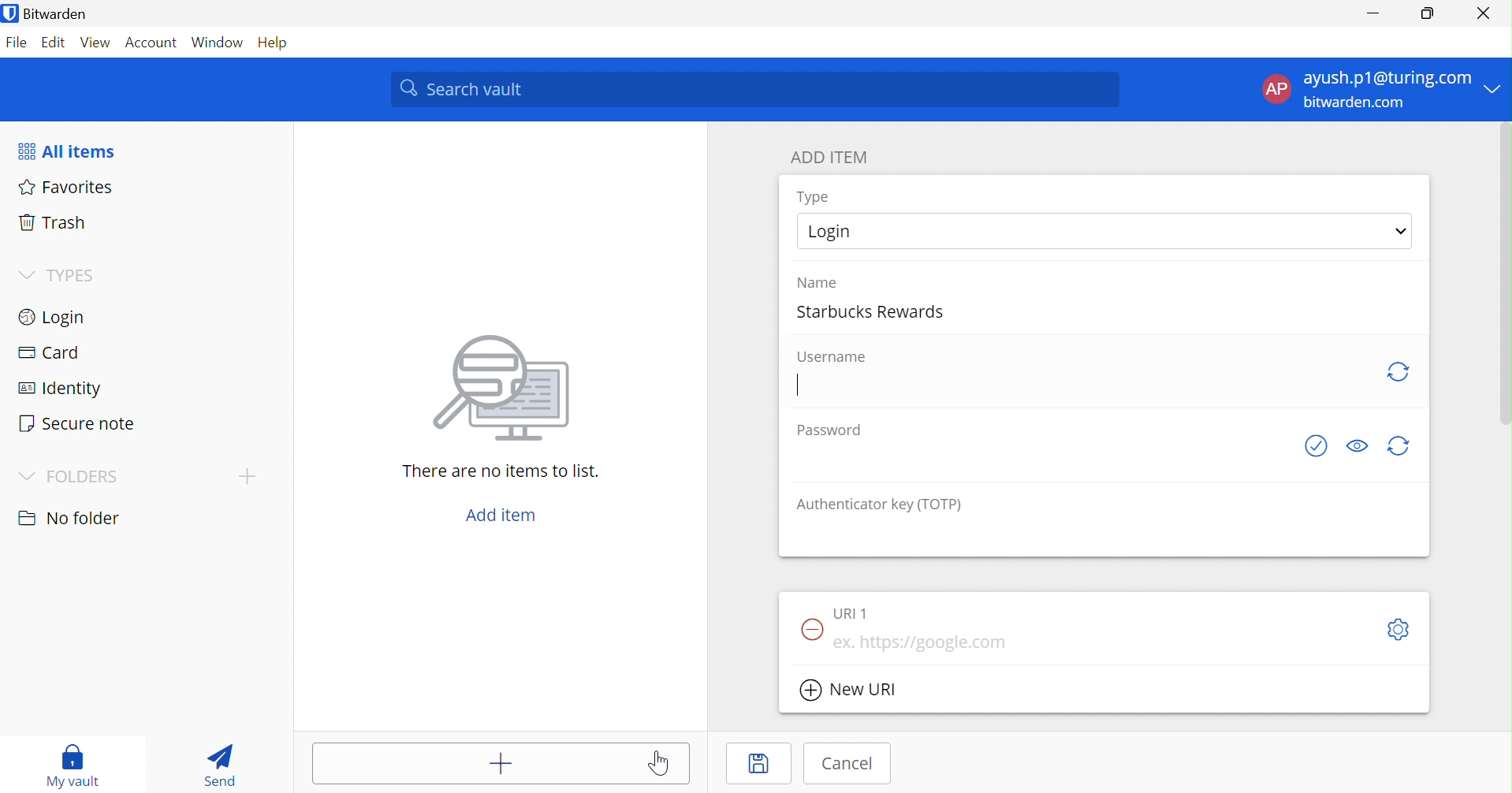 The height and width of the screenshot is (793, 1512). What do you see at coordinates (28, 276) in the screenshot?
I see `Drop Down` at bounding box center [28, 276].